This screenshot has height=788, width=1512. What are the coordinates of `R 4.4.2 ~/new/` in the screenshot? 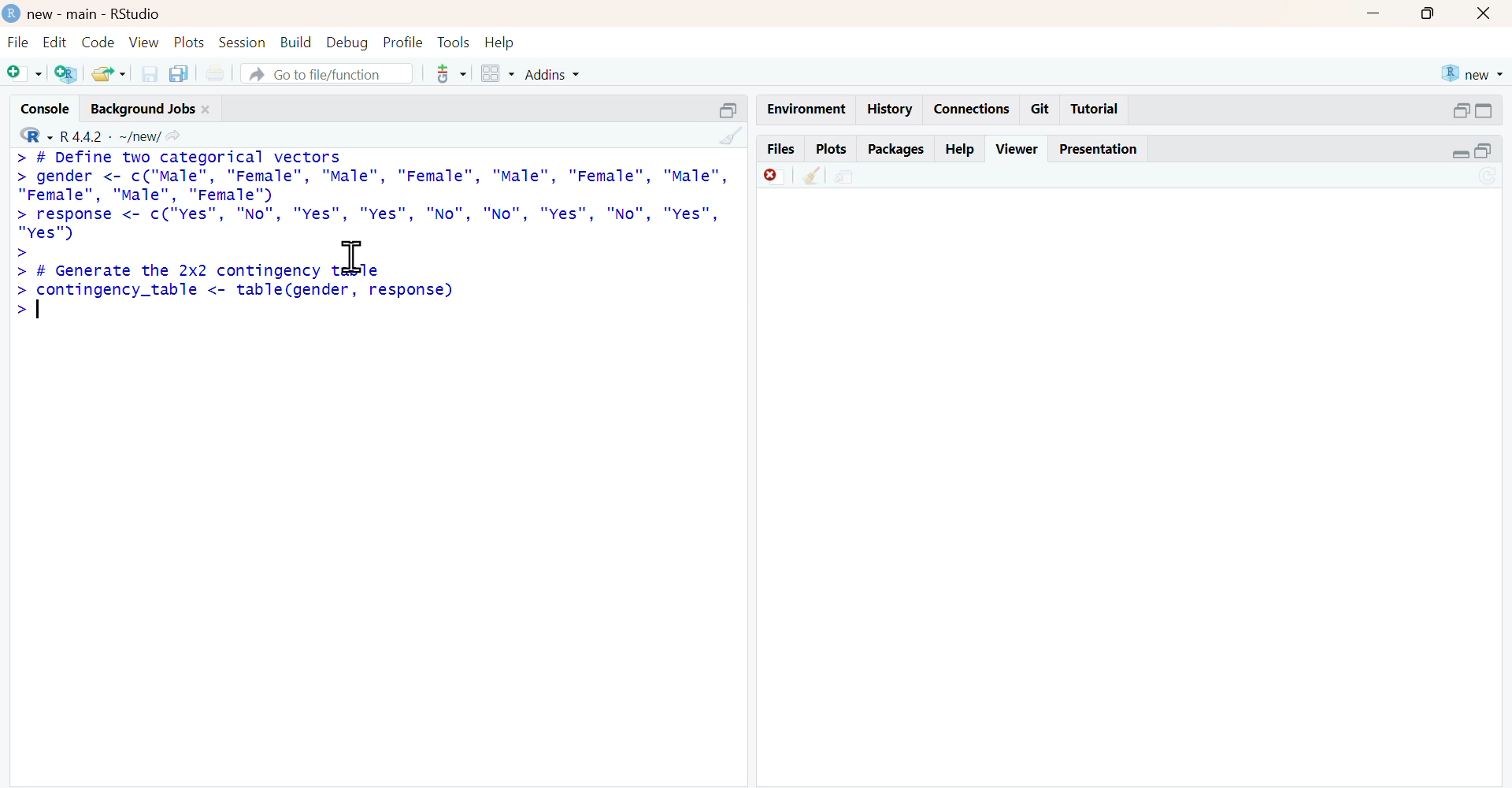 It's located at (111, 137).